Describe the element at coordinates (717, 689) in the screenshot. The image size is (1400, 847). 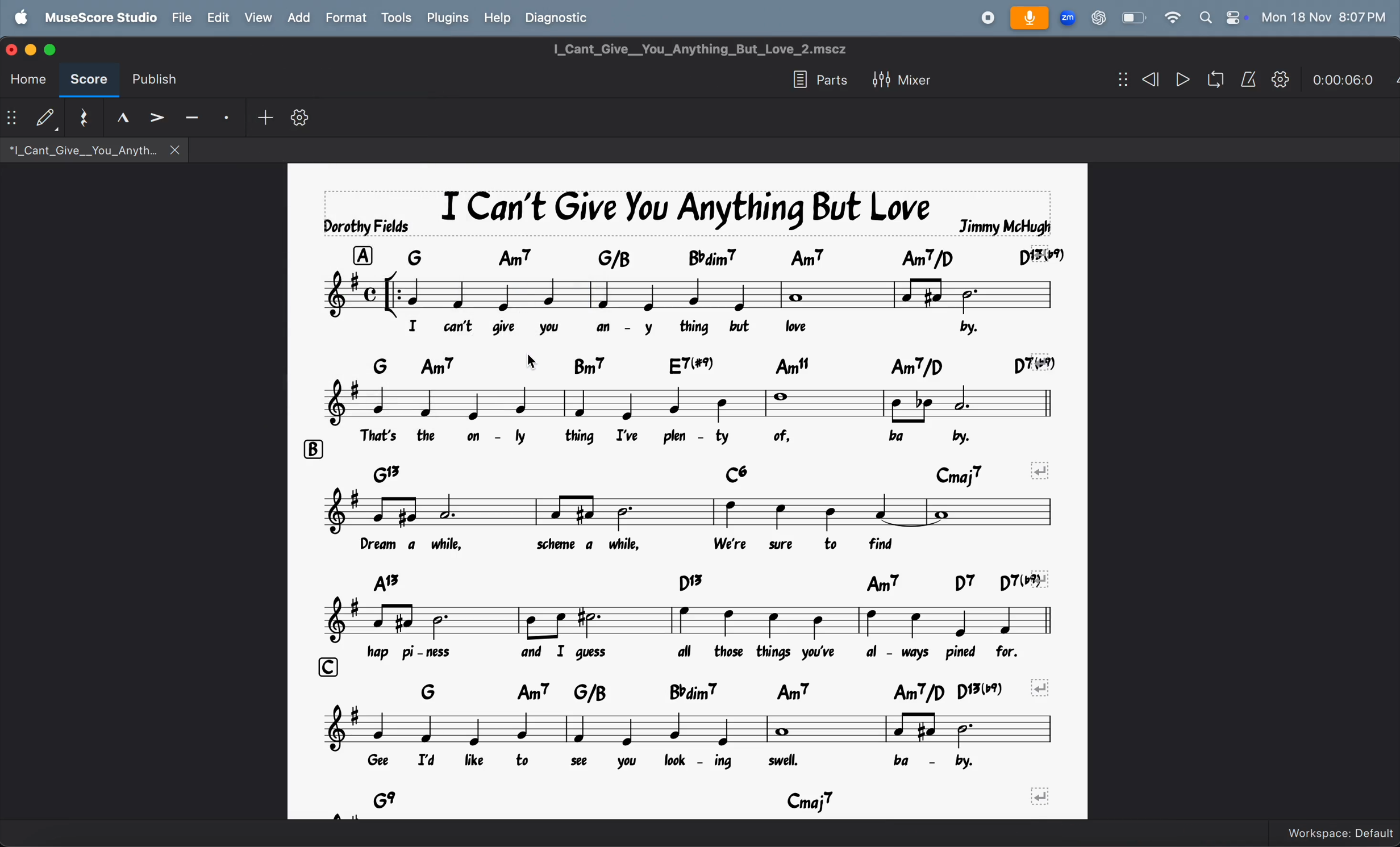
I see `chord symbols` at that location.